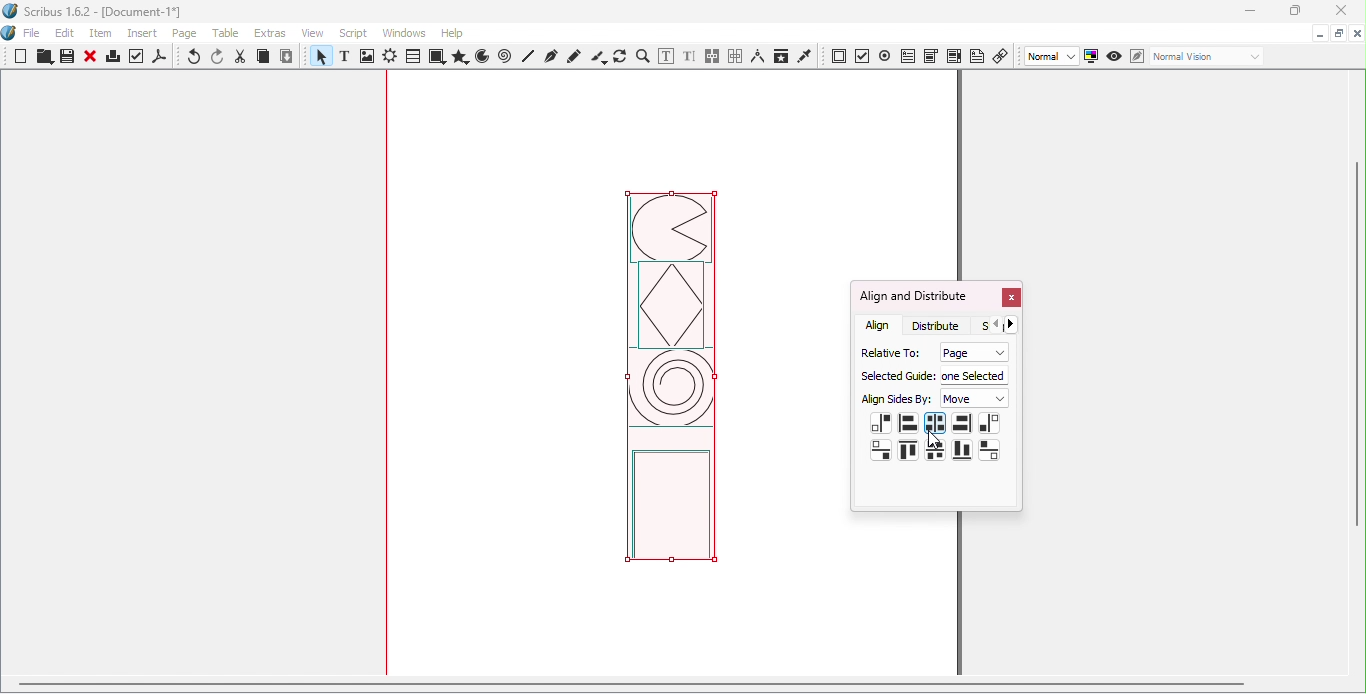 The width and height of the screenshot is (1366, 694). Describe the element at coordinates (10, 34) in the screenshot. I see `Logo` at that location.